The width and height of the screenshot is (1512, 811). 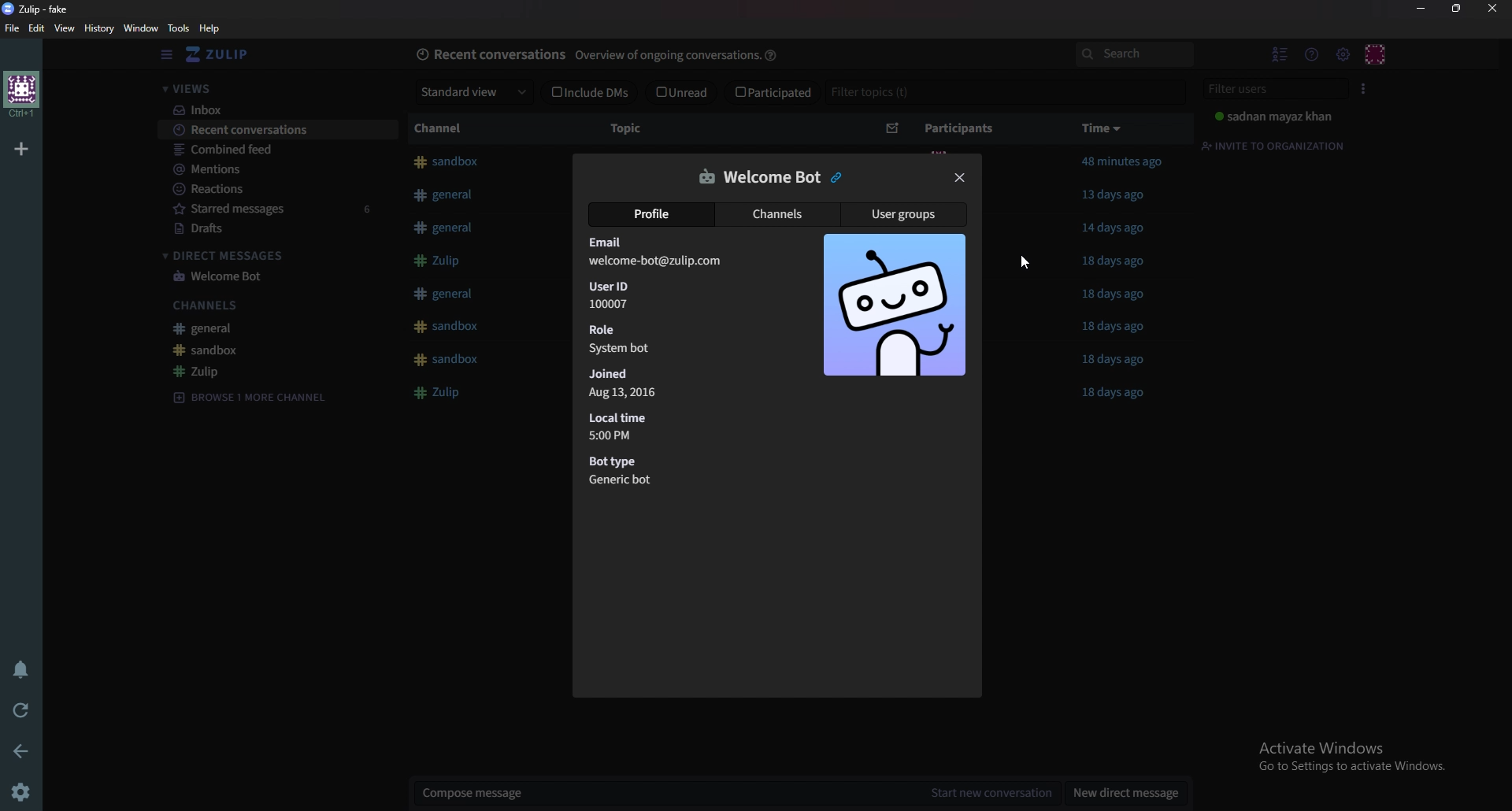 What do you see at coordinates (212, 28) in the screenshot?
I see `help` at bounding box center [212, 28].